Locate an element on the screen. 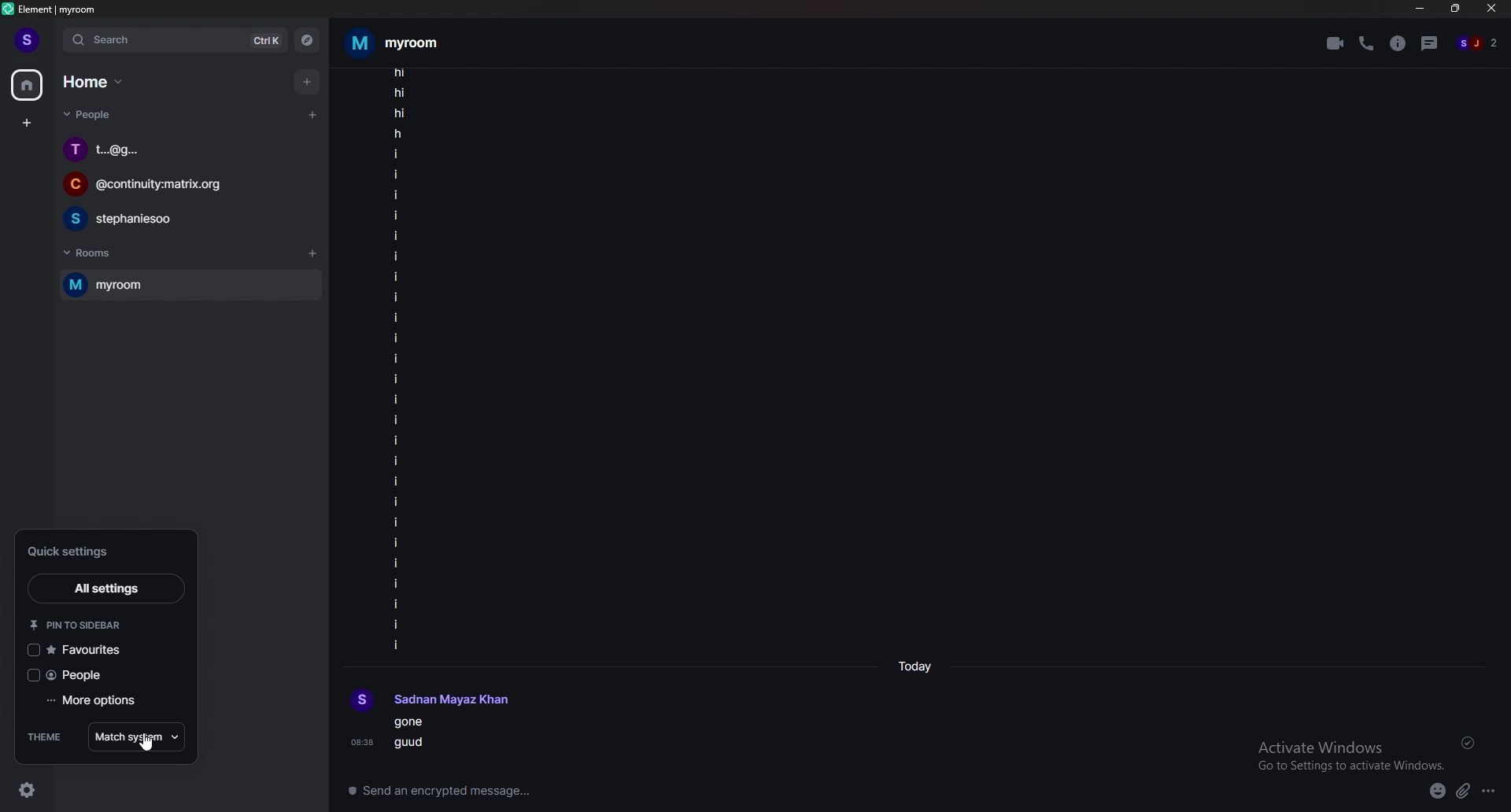  all settings is located at coordinates (106, 588).